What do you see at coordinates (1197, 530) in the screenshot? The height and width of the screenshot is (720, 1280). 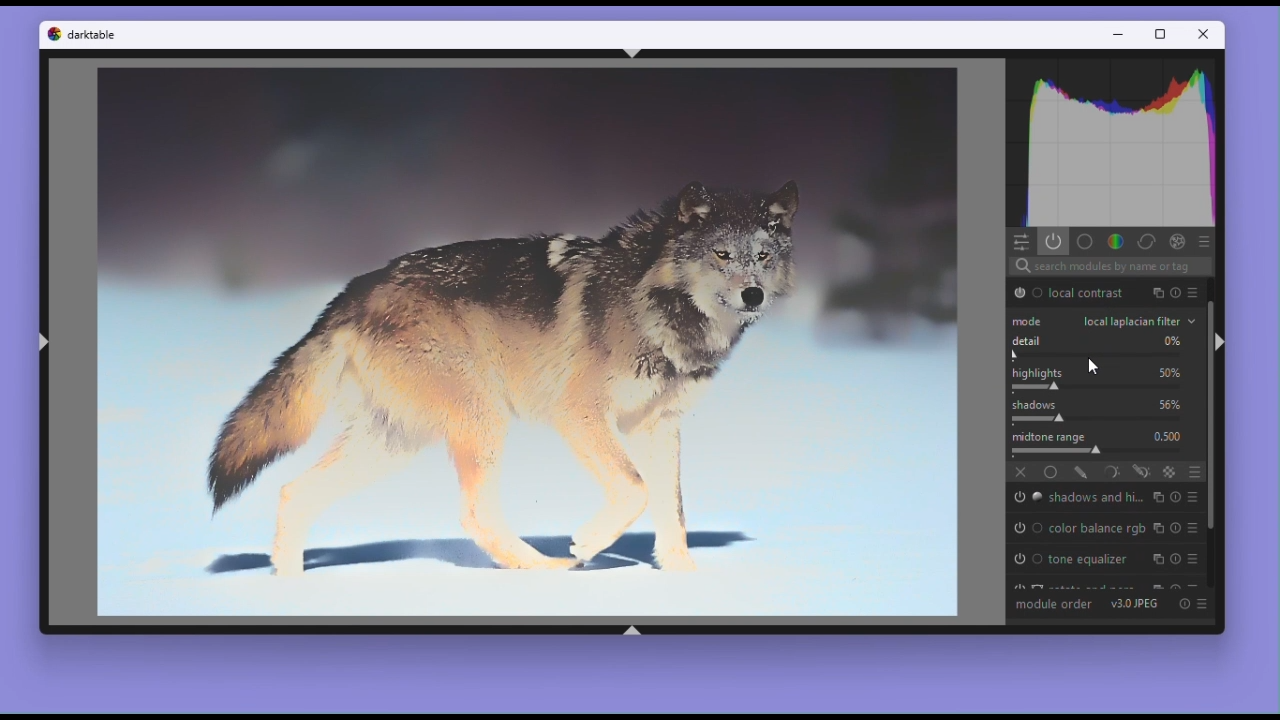 I see `presets` at bounding box center [1197, 530].